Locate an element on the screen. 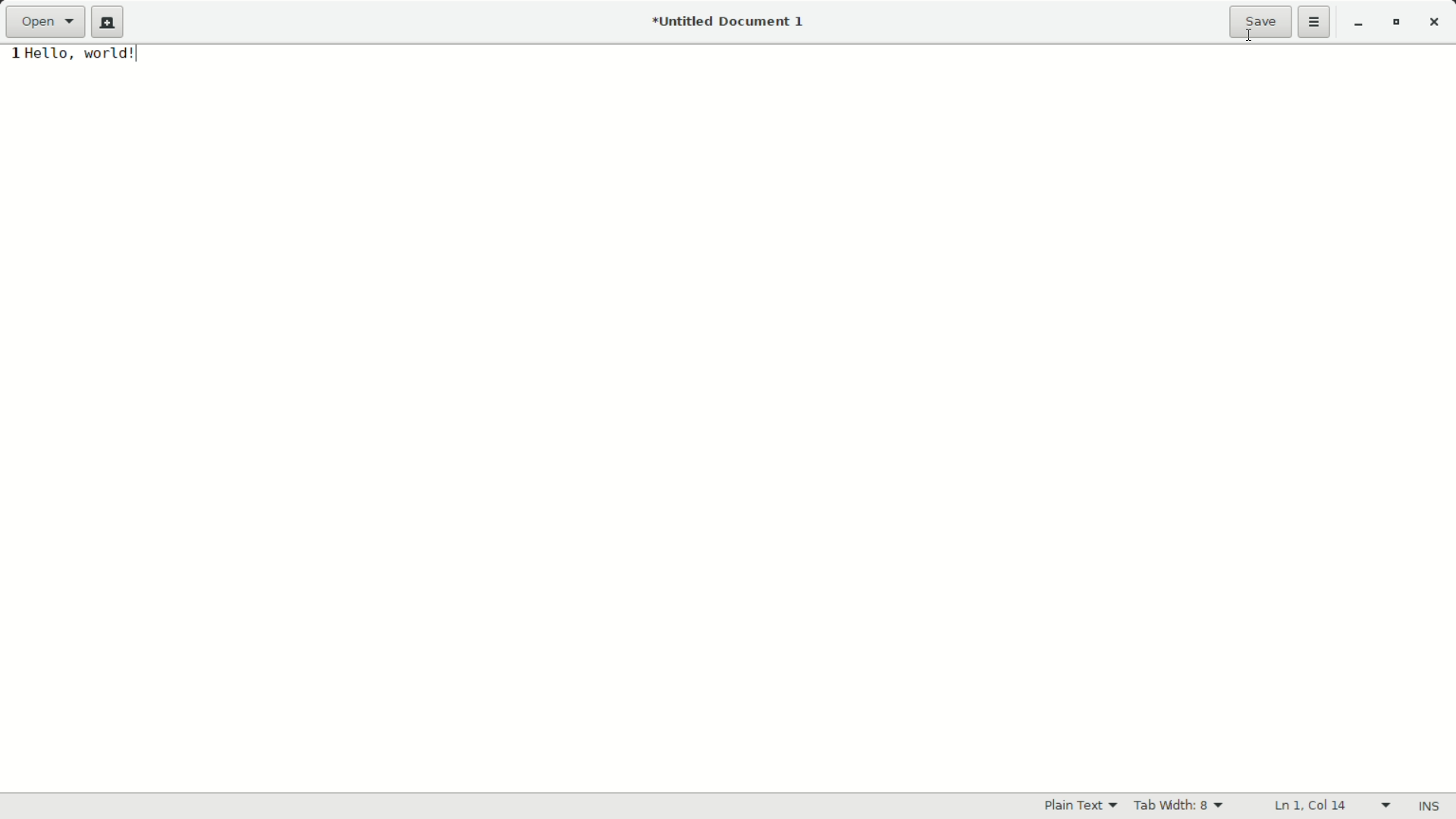  close app is located at coordinates (1439, 23).